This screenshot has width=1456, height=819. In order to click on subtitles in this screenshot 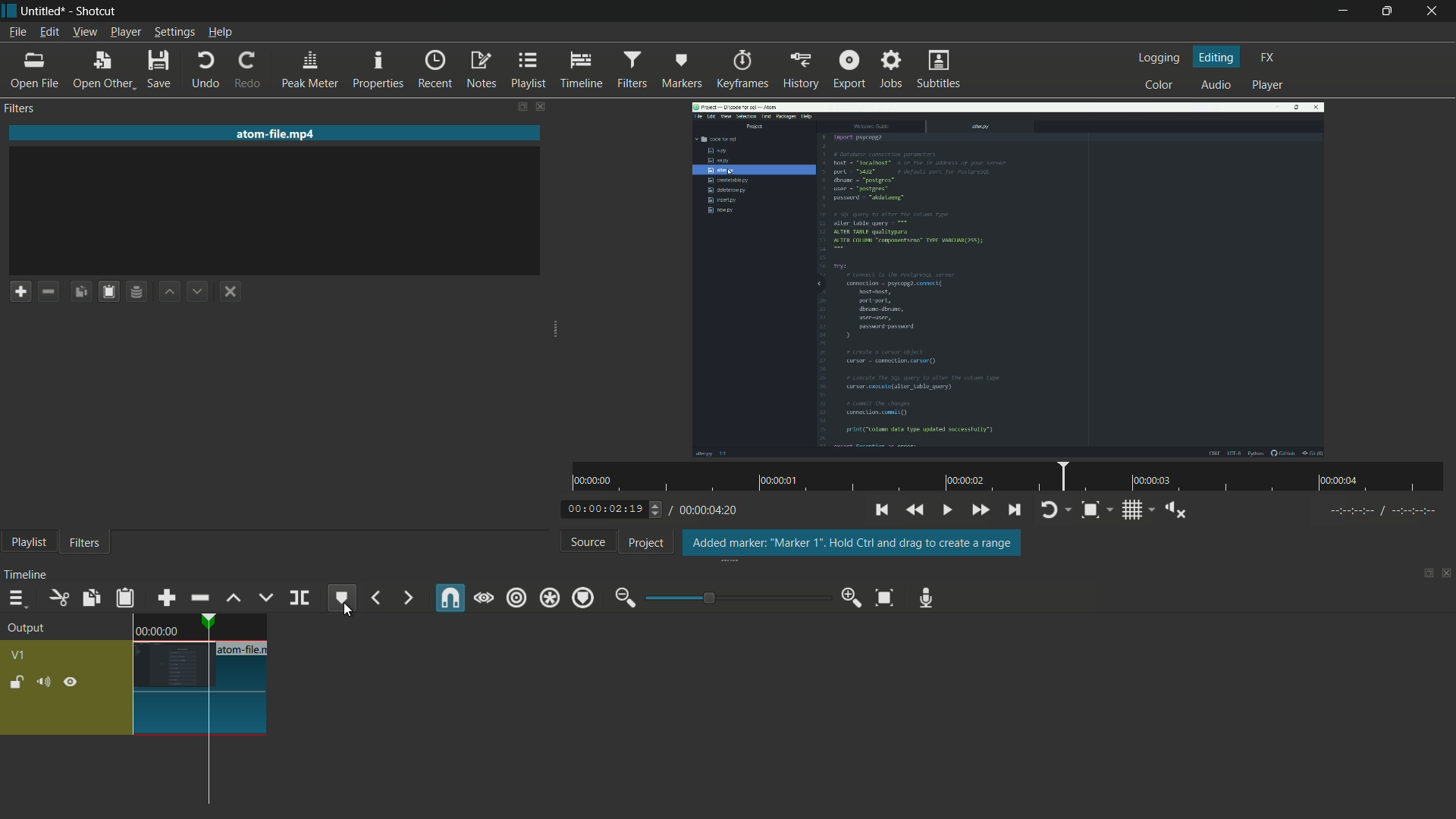, I will do `click(940, 71)`.